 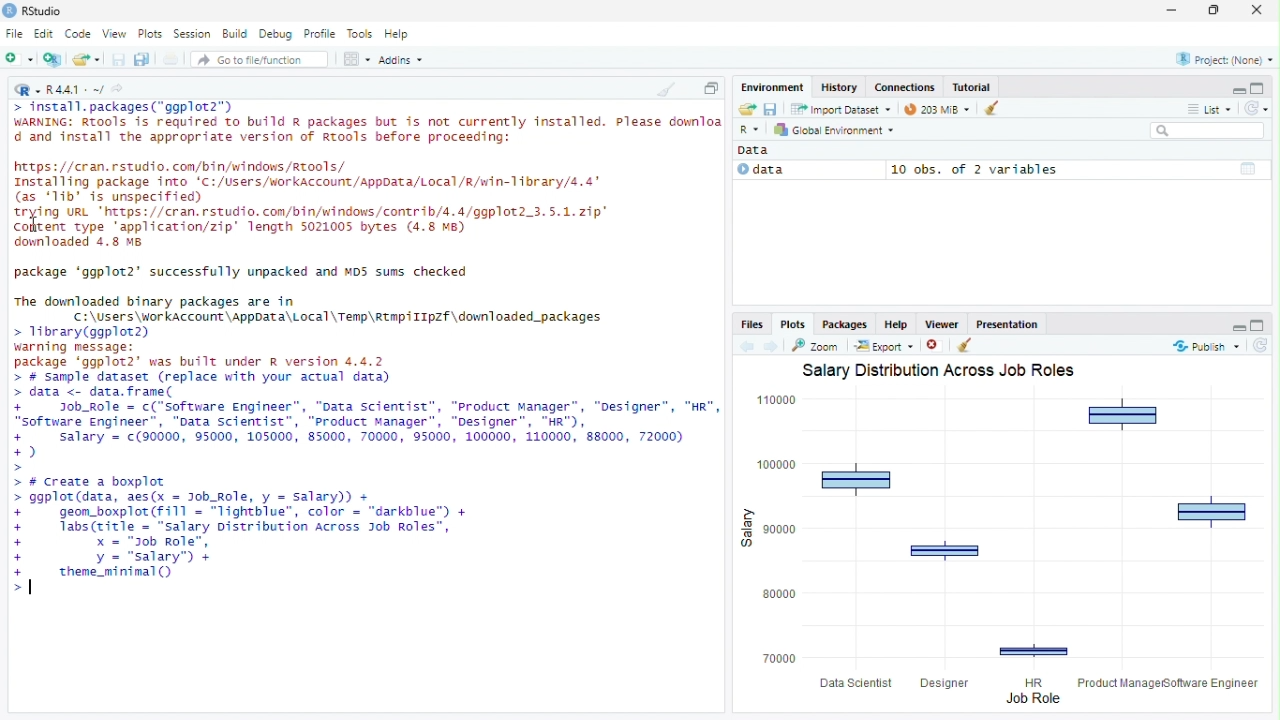 What do you see at coordinates (1210, 109) in the screenshot?
I see `View by list` at bounding box center [1210, 109].